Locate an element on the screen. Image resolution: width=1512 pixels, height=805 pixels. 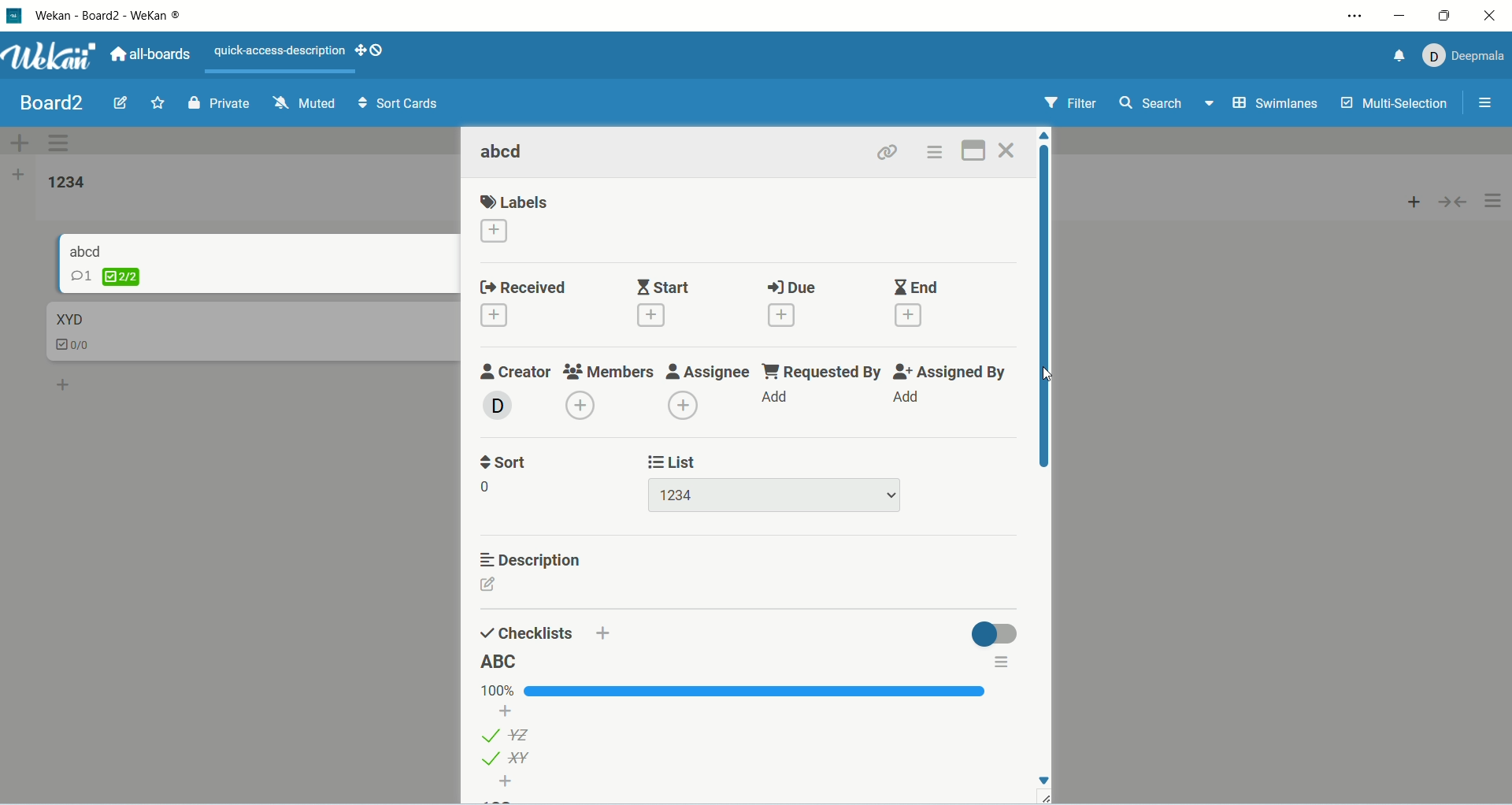
logo is located at coordinates (13, 17).